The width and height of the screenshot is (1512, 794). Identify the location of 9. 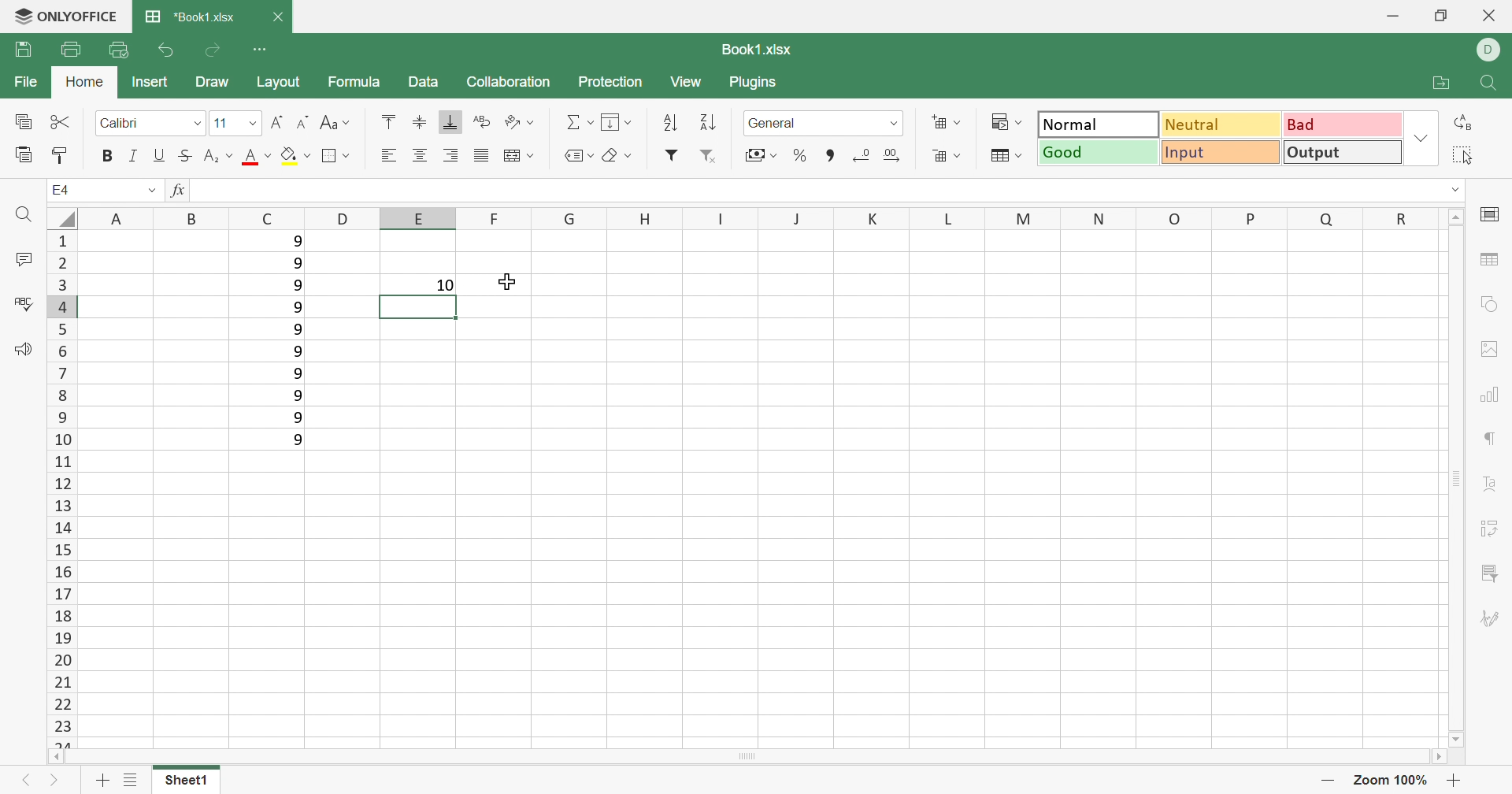
(298, 283).